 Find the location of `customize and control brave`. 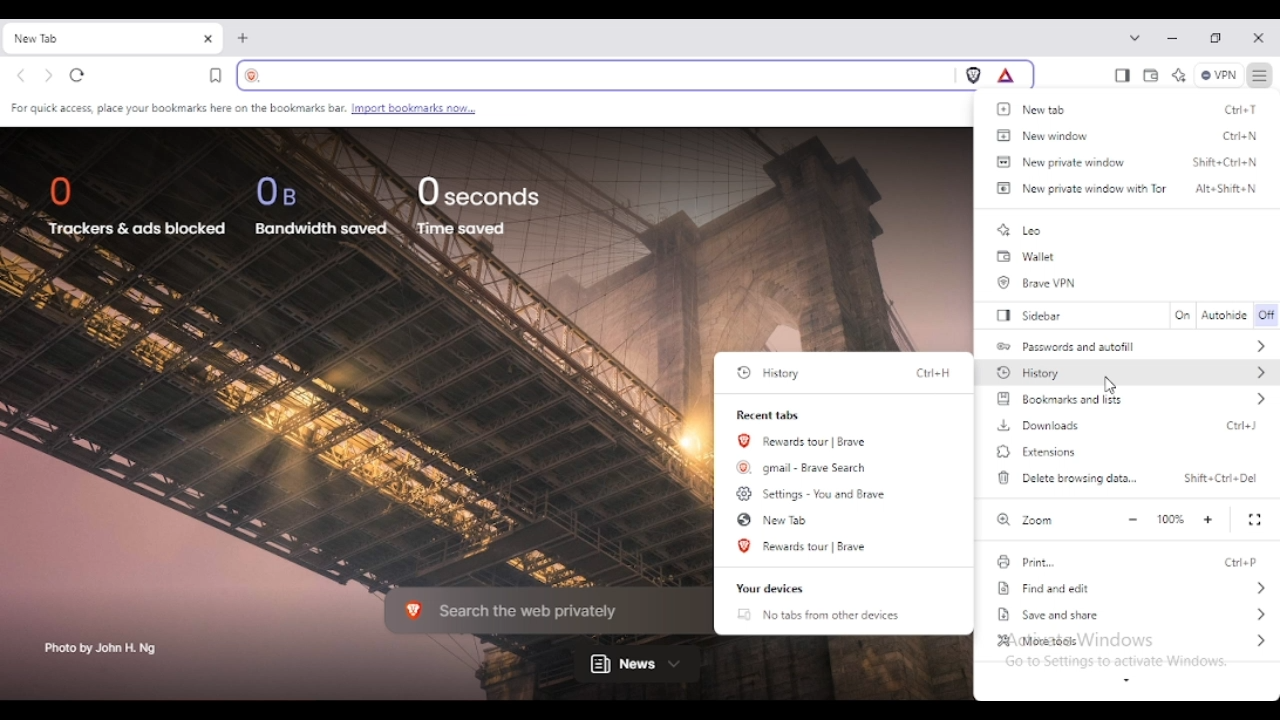

customize and control brave is located at coordinates (1261, 75).